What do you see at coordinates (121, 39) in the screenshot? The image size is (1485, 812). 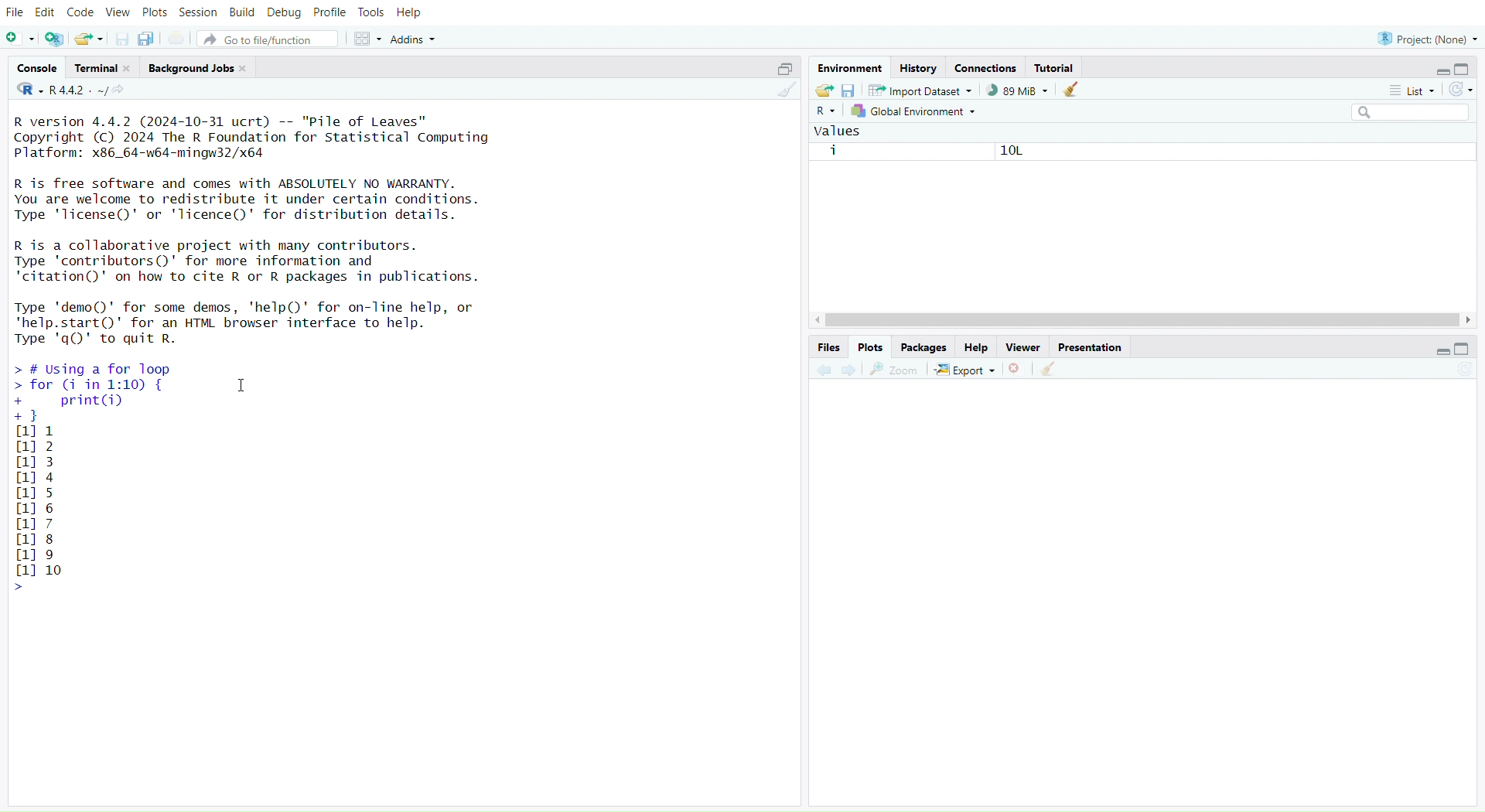 I see `save current document` at bounding box center [121, 39].